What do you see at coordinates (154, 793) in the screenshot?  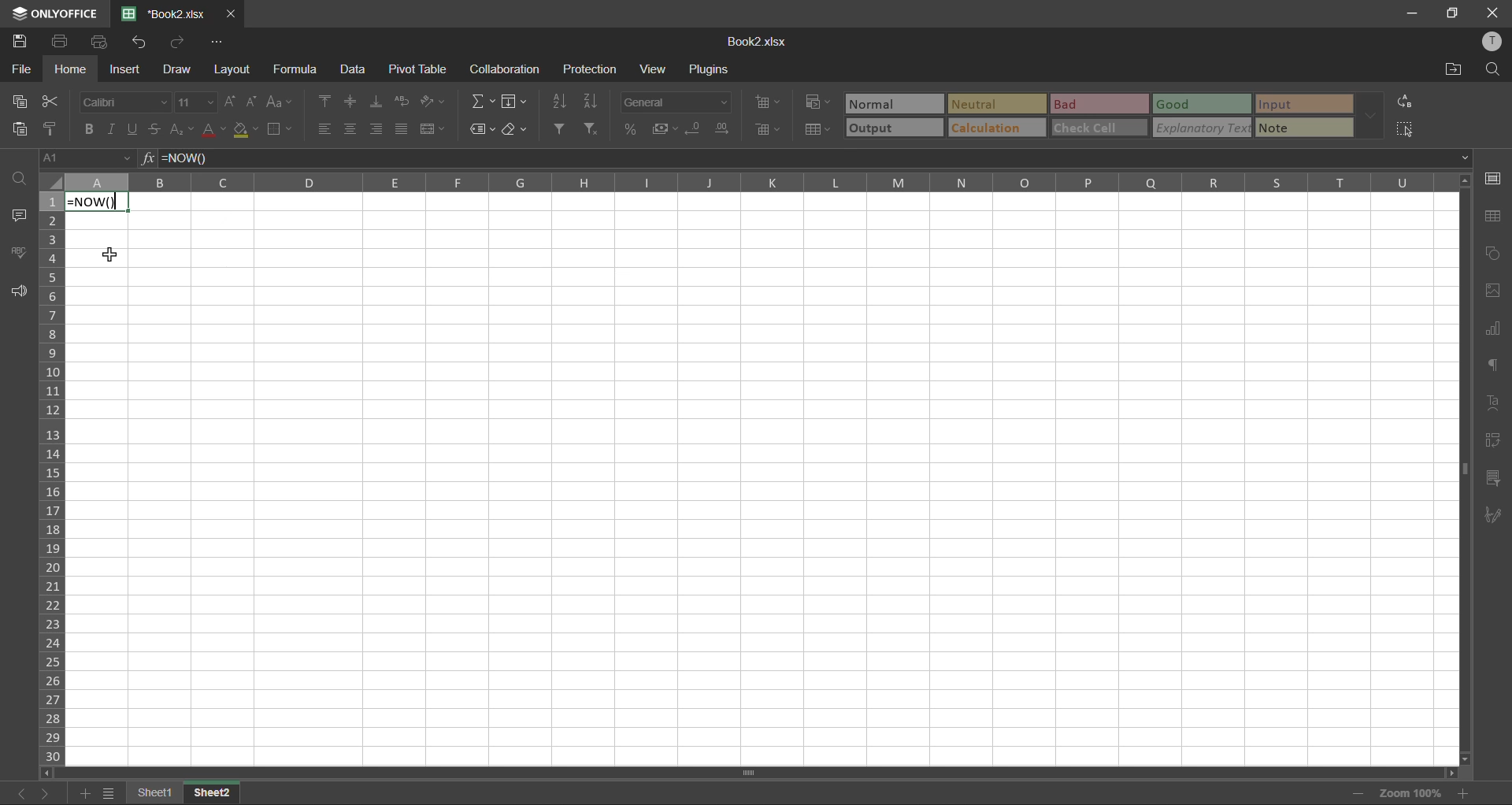 I see `sheet 1` at bounding box center [154, 793].